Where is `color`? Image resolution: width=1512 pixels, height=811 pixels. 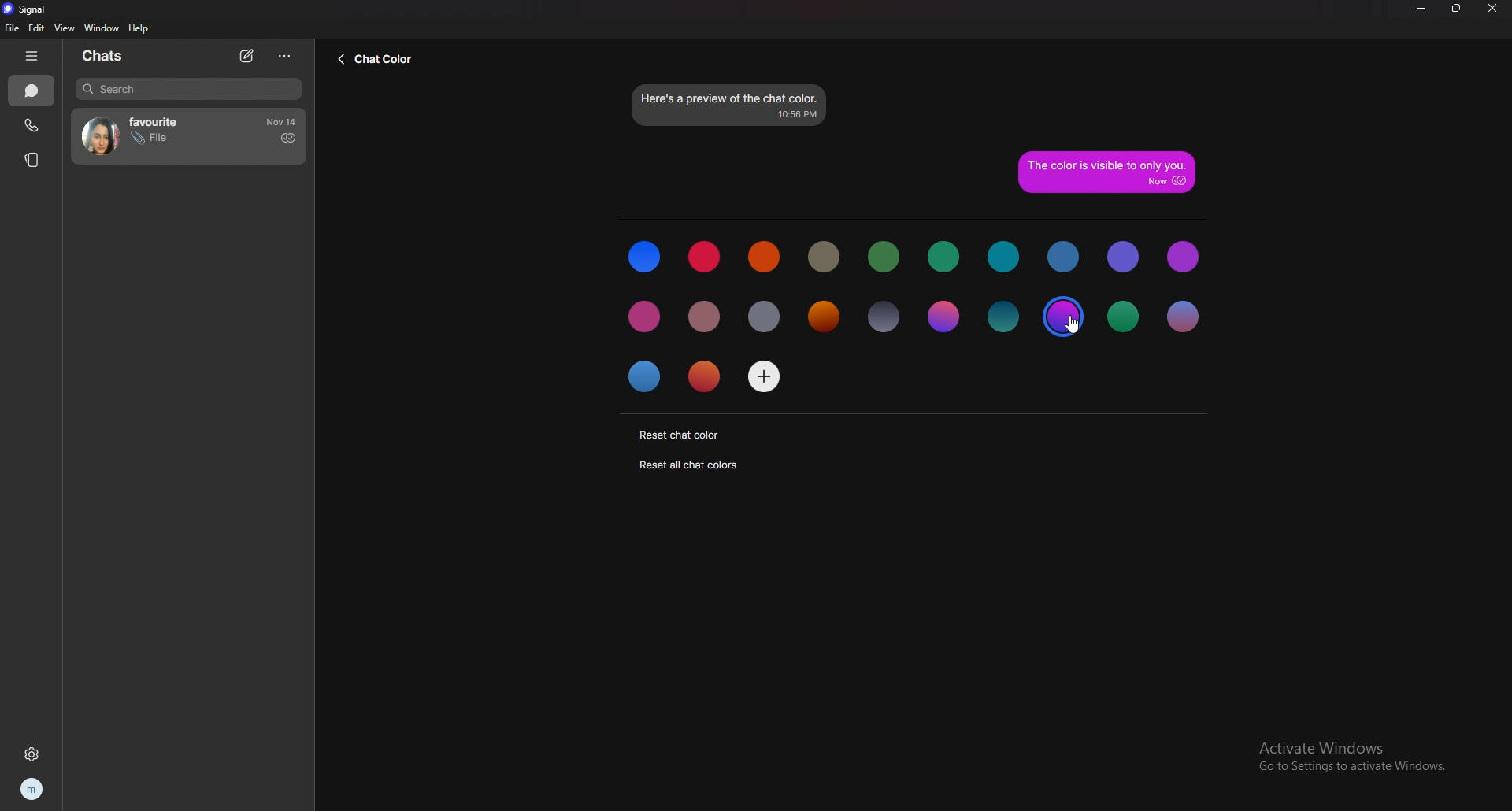
color is located at coordinates (1065, 257).